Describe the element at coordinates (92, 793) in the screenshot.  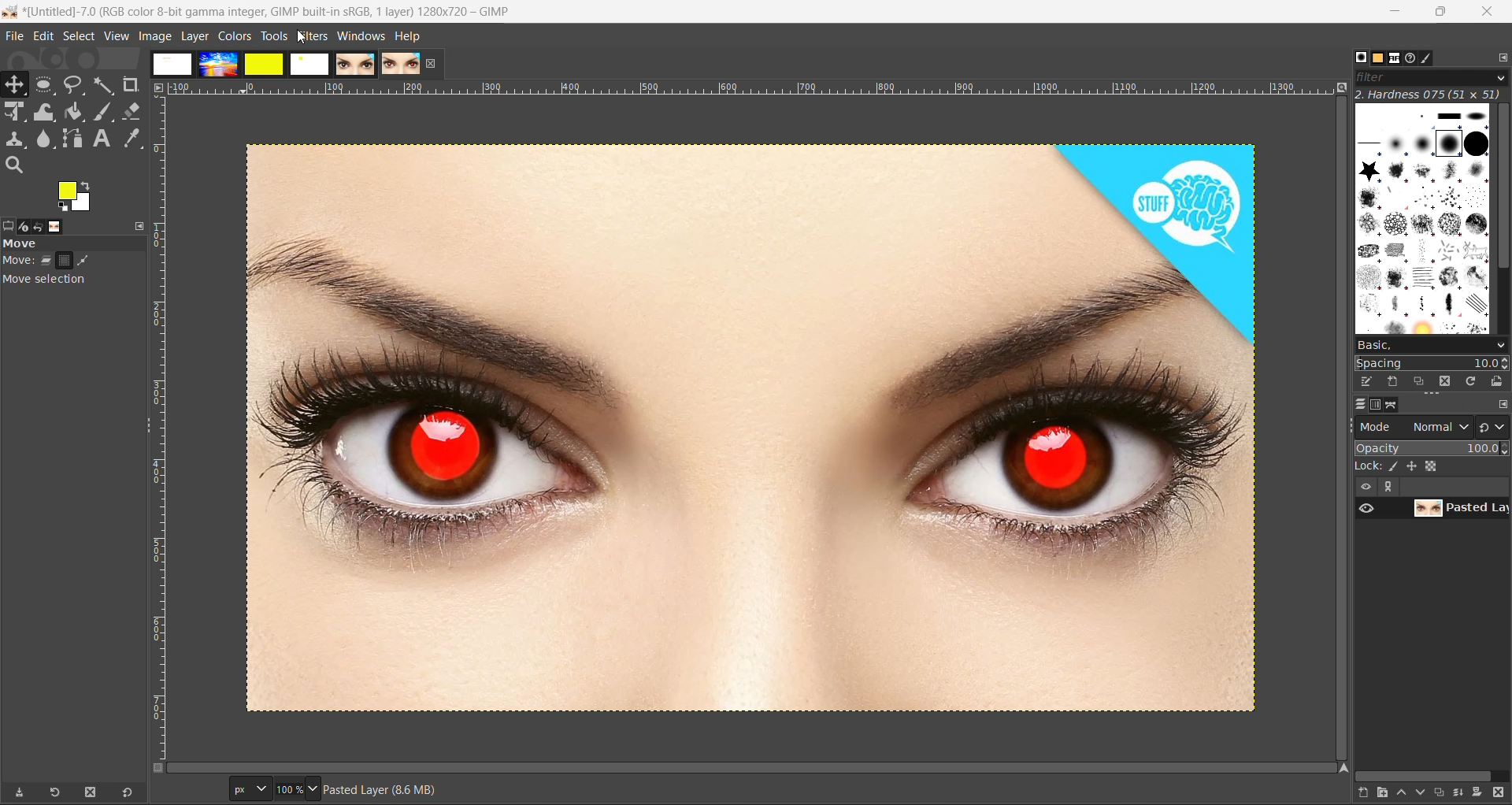
I see `delete tool preset` at that location.